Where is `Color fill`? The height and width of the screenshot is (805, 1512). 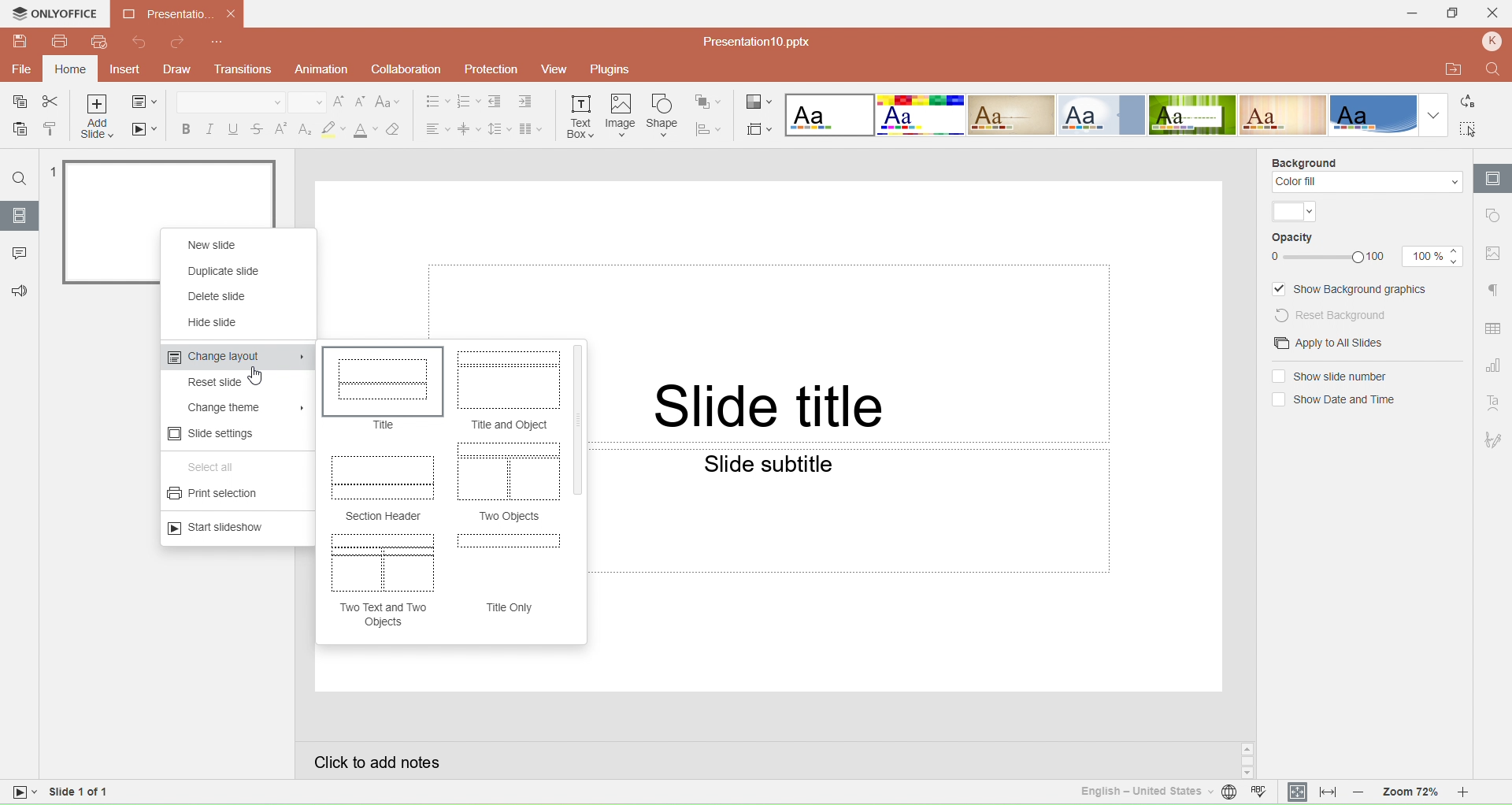 Color fill is located at coordinates (1366, 183).